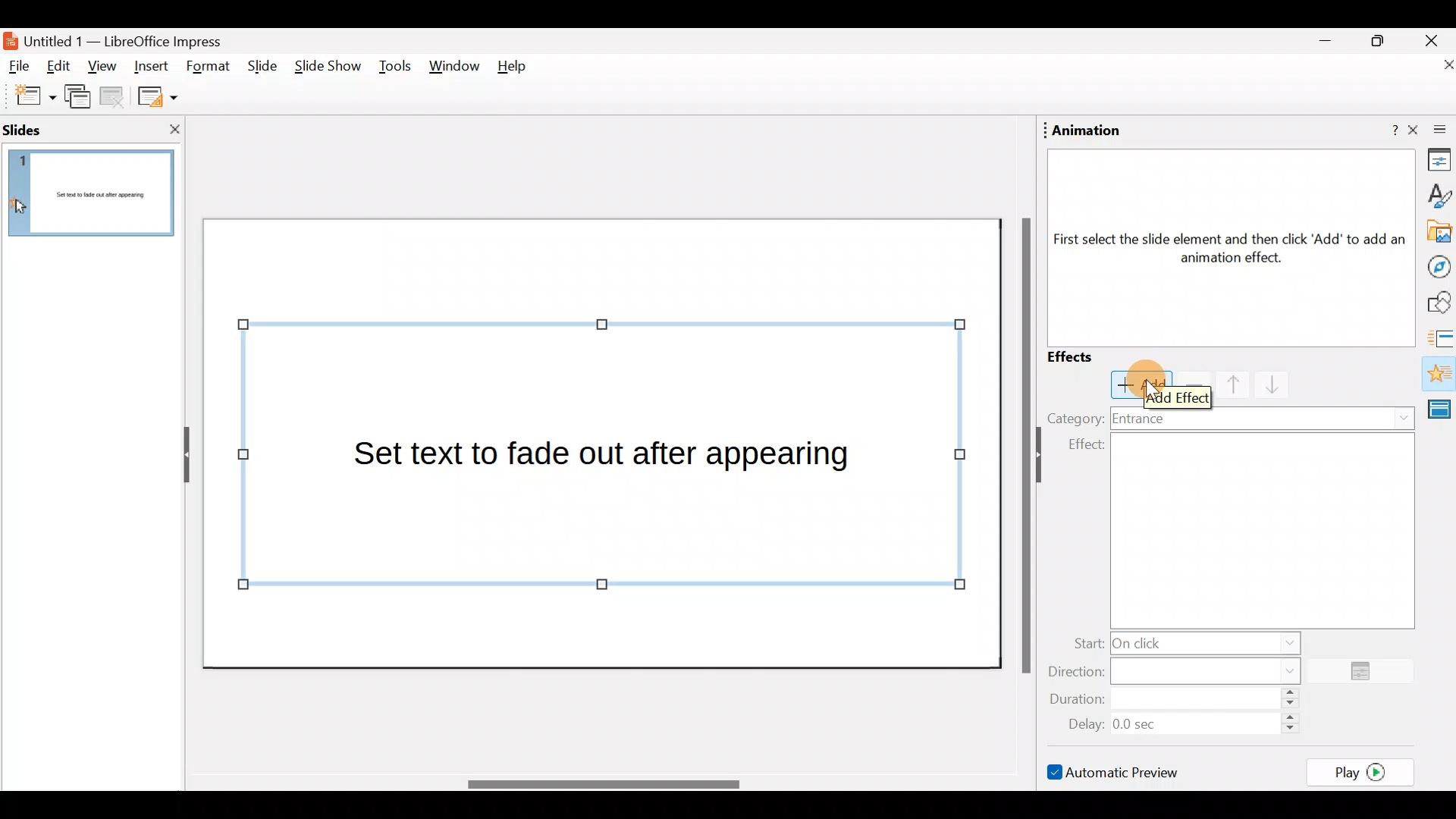 The width and height of the screenshot is (1456, 819). What do you see at coordinates (1238, 530) in the screenshot?
I see `Effect` at bounding box center [1238, 530].